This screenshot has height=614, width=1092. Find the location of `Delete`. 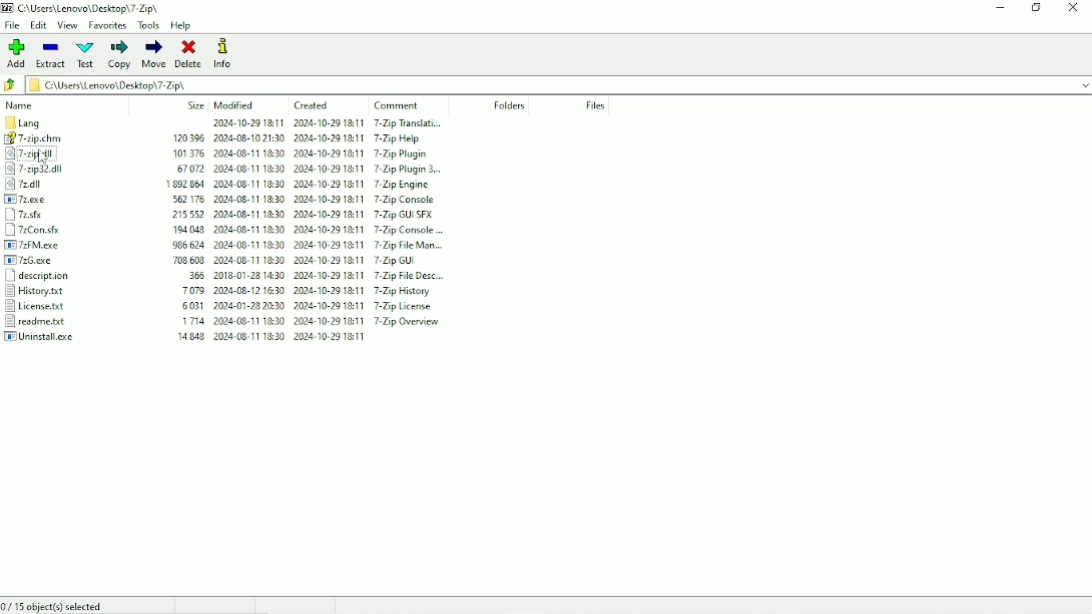

Delete is located at coordinates (189, 54).